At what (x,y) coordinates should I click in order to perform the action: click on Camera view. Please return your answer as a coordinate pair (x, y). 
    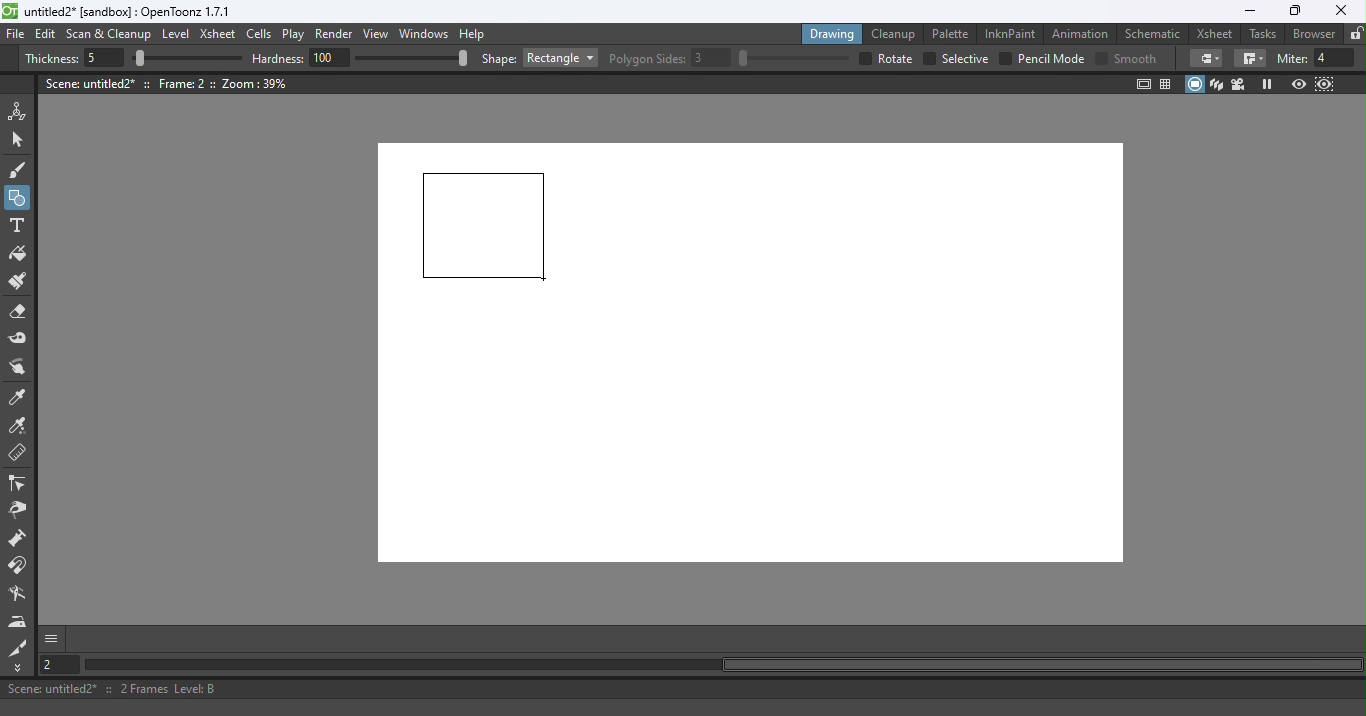
    Looking at the image, I should click on (1241, 83).